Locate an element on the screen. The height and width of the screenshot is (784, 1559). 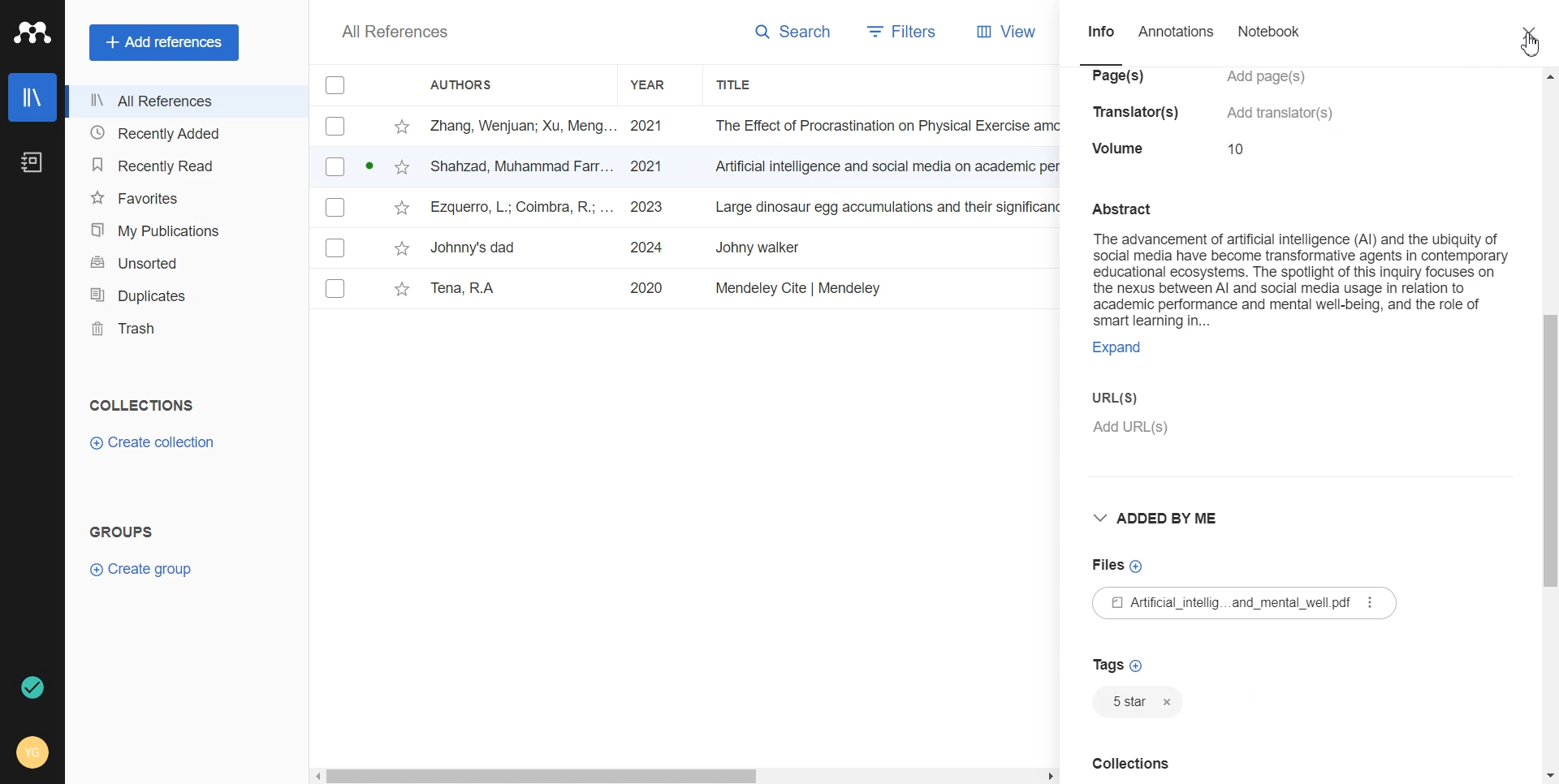
URL(s) is located at coordinates (1301, 414).